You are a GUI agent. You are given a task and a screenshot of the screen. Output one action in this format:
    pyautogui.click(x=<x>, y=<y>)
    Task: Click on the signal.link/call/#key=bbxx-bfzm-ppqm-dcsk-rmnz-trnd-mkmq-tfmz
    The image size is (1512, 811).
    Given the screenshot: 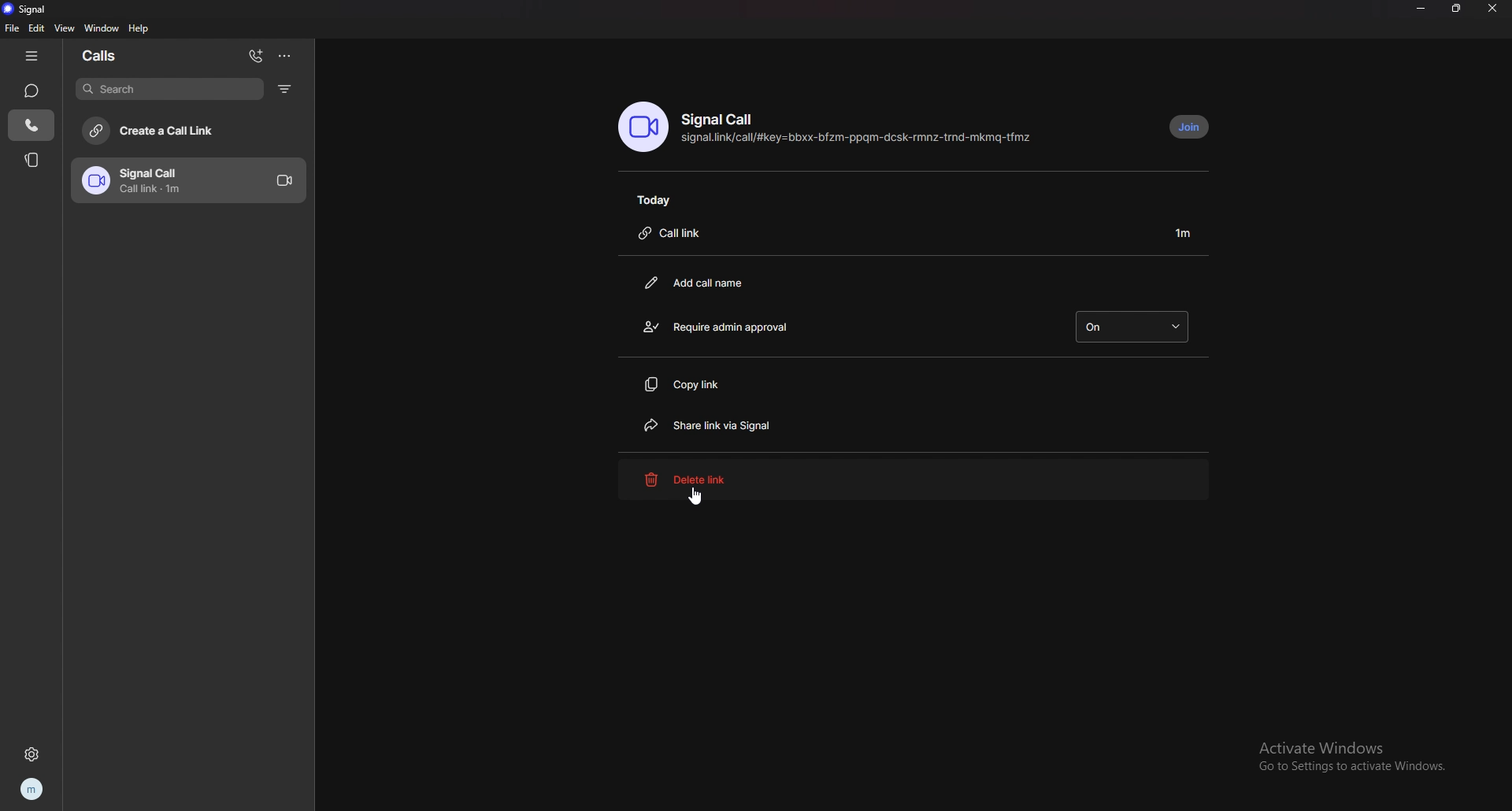 What is the action you would take?
    pyautogui.click(x=861, y=139)
    